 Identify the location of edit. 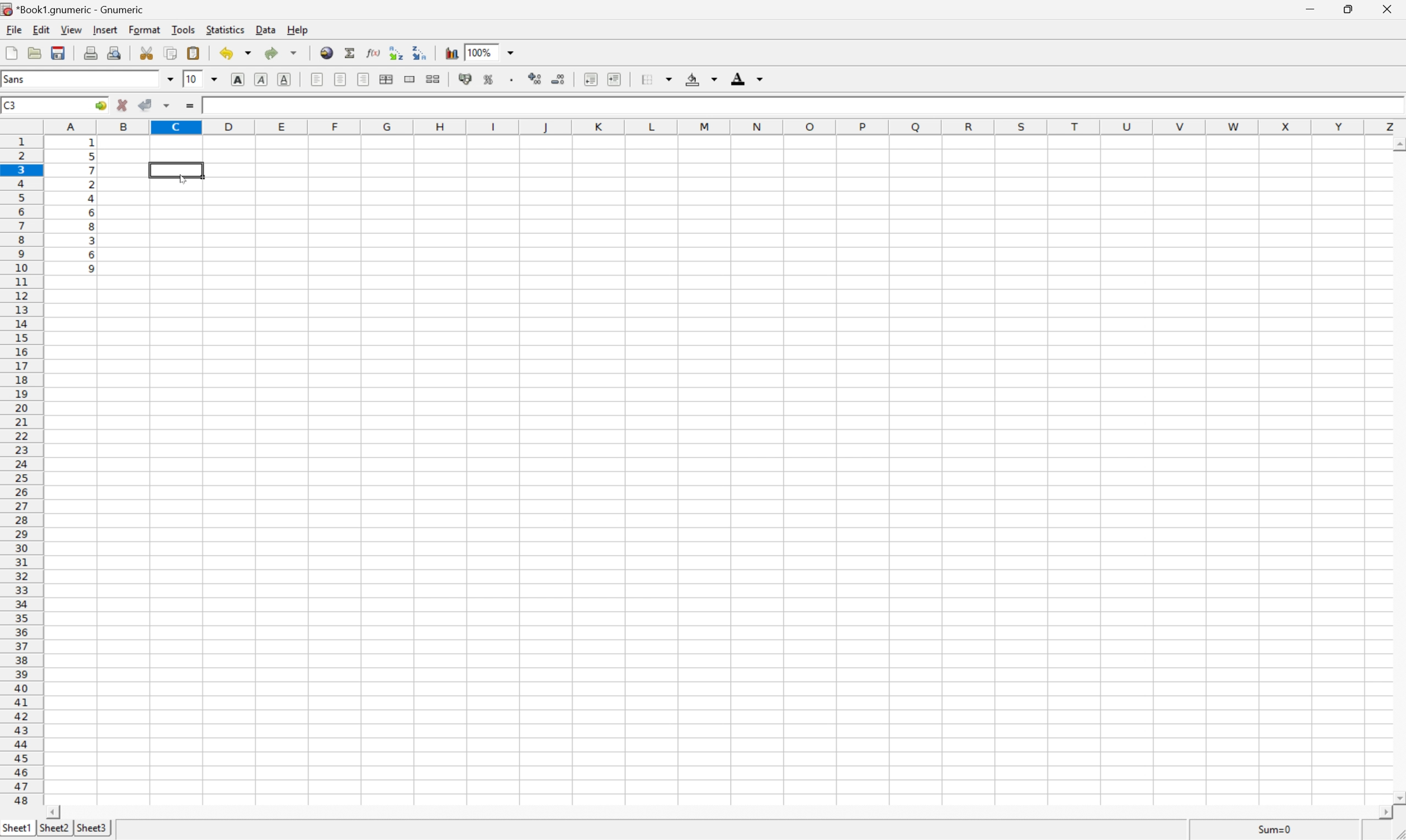
(41, 29).